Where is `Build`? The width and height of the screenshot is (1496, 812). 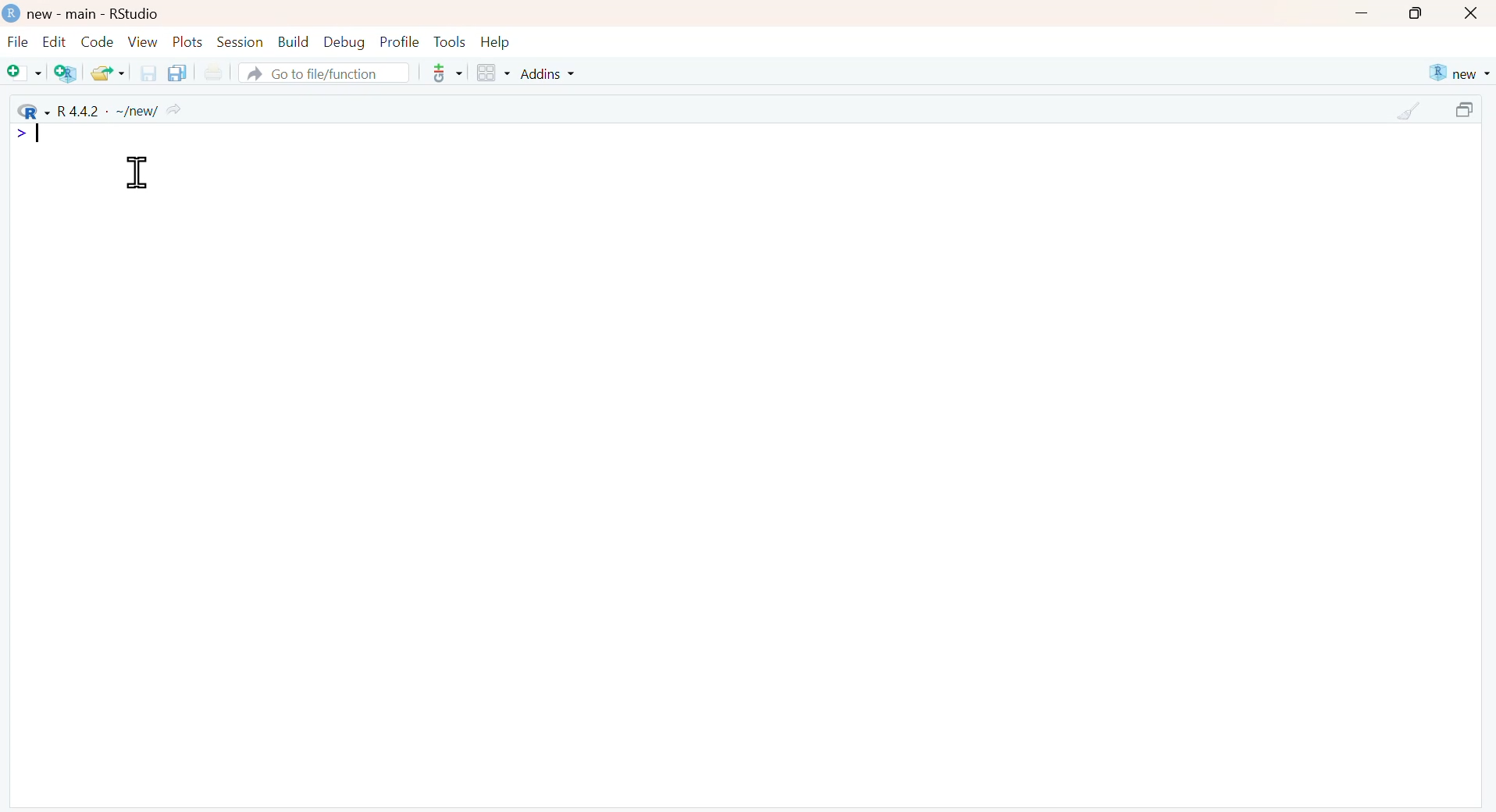
Build is located at coordinates (293, 42).